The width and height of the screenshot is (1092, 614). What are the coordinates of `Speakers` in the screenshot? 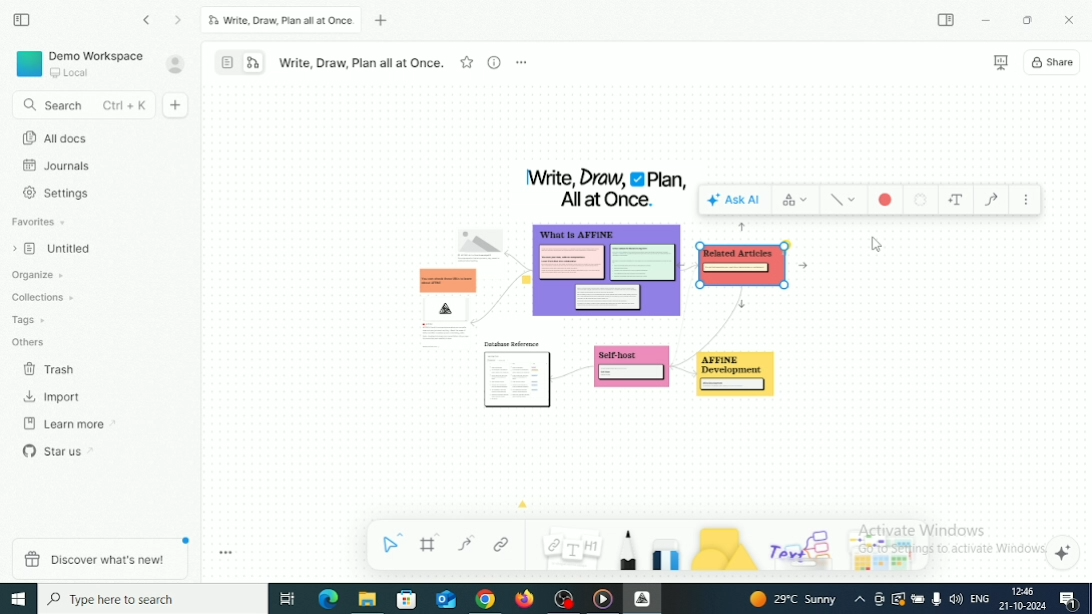 It's located at (956, 598).